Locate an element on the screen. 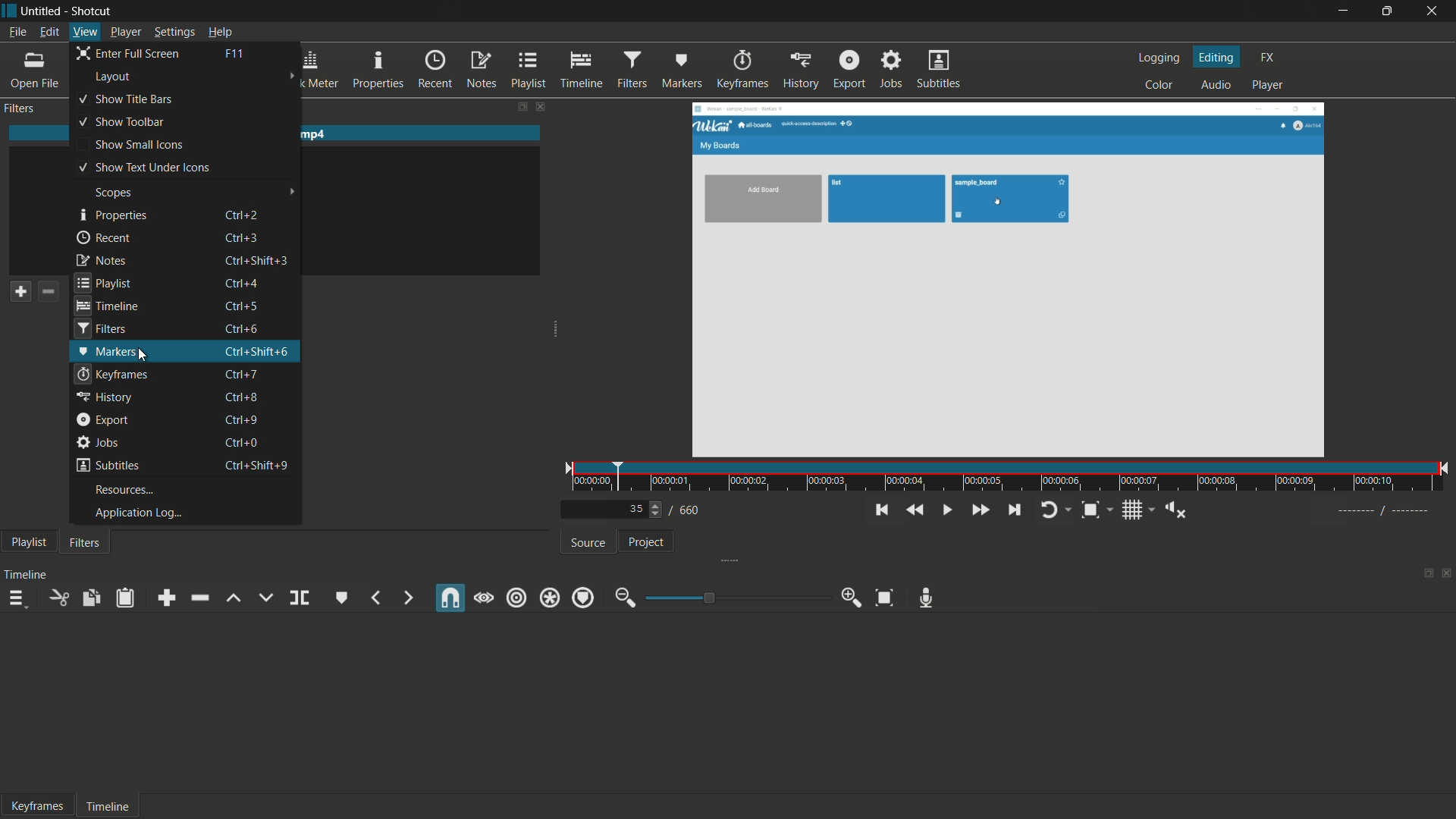 This screenshot has width=1456, height=819. app name is located at coordinates (93, 11).